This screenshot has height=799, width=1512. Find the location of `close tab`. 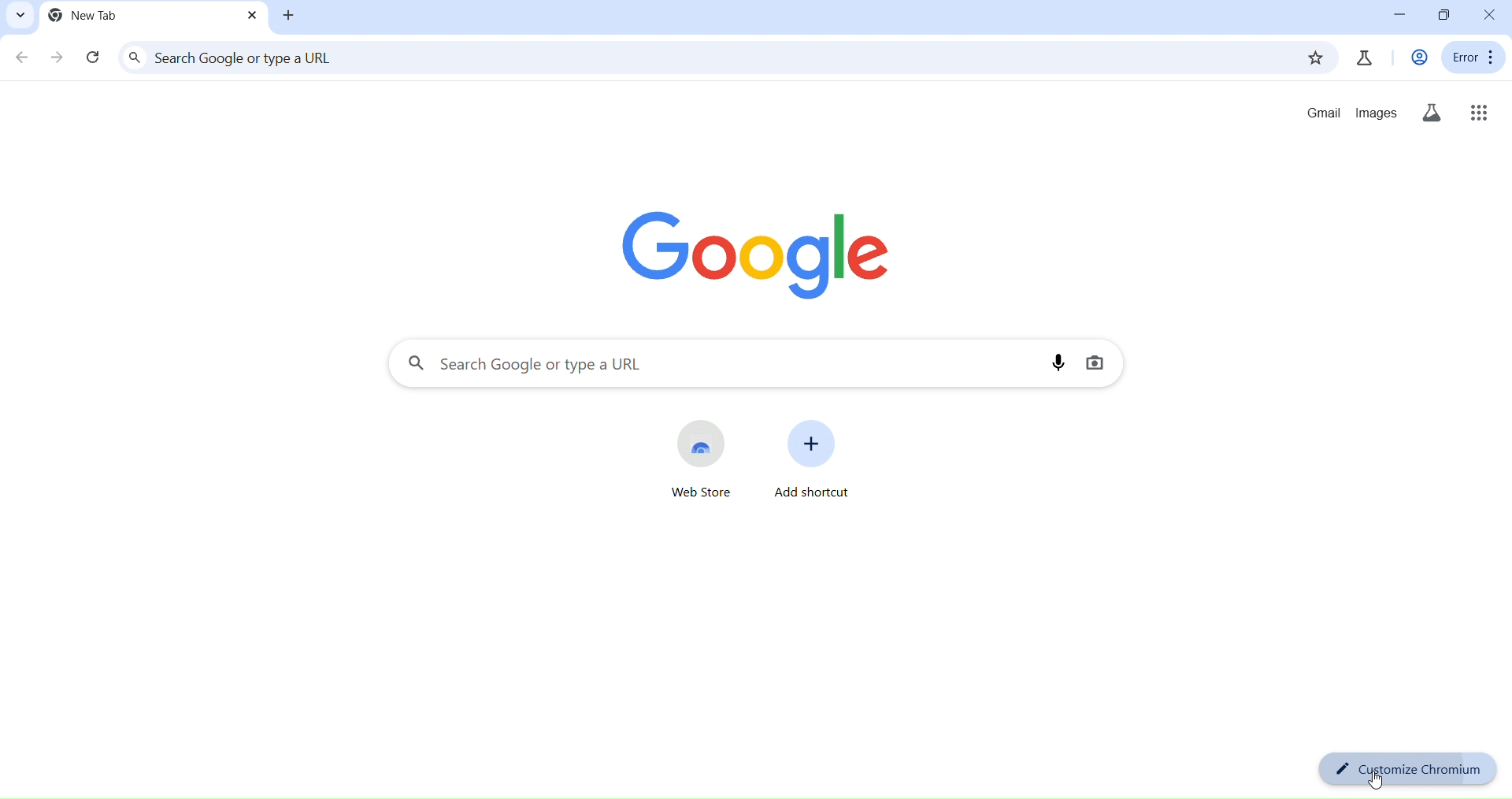

close tab is located at coordinates (252, 16).